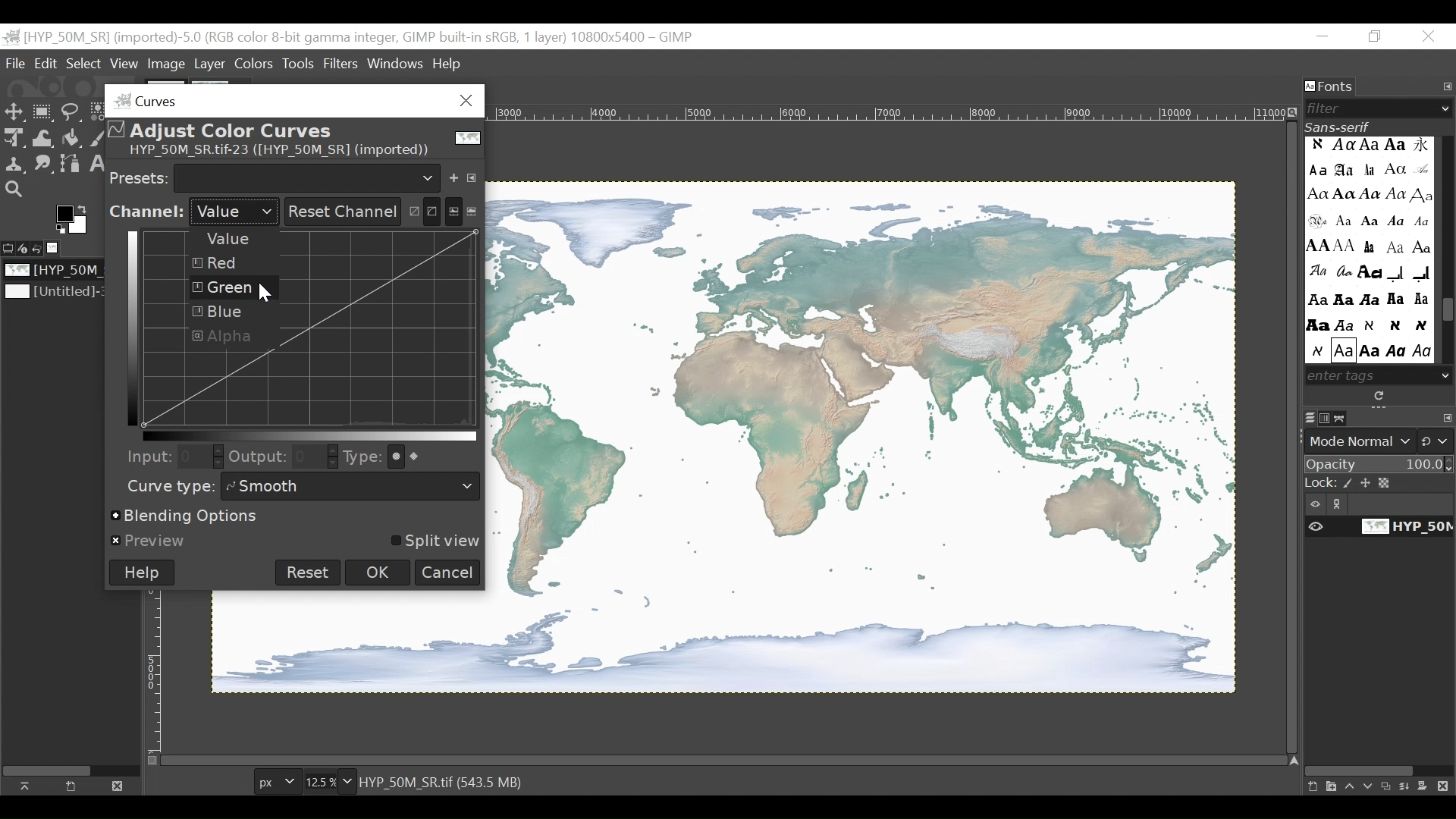 This screenshot has height=819, width=1456. Describe the element at coordinates (1376, 527) in the screenshot. I see `Item Visibility of the image` at that location.